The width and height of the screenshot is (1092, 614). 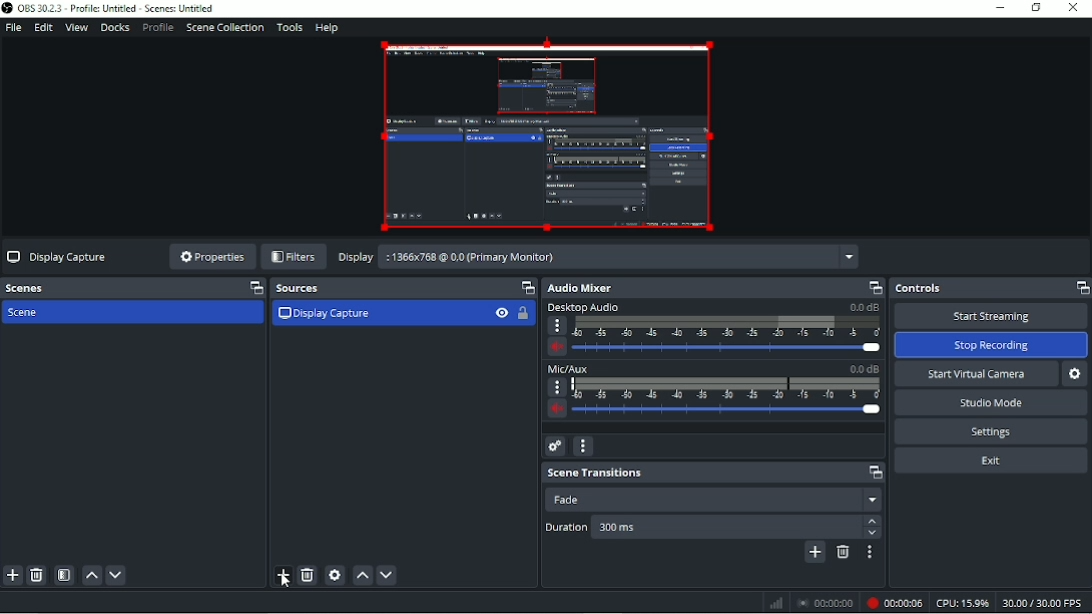 I want to click on Profile, so click(x=157, y=27).